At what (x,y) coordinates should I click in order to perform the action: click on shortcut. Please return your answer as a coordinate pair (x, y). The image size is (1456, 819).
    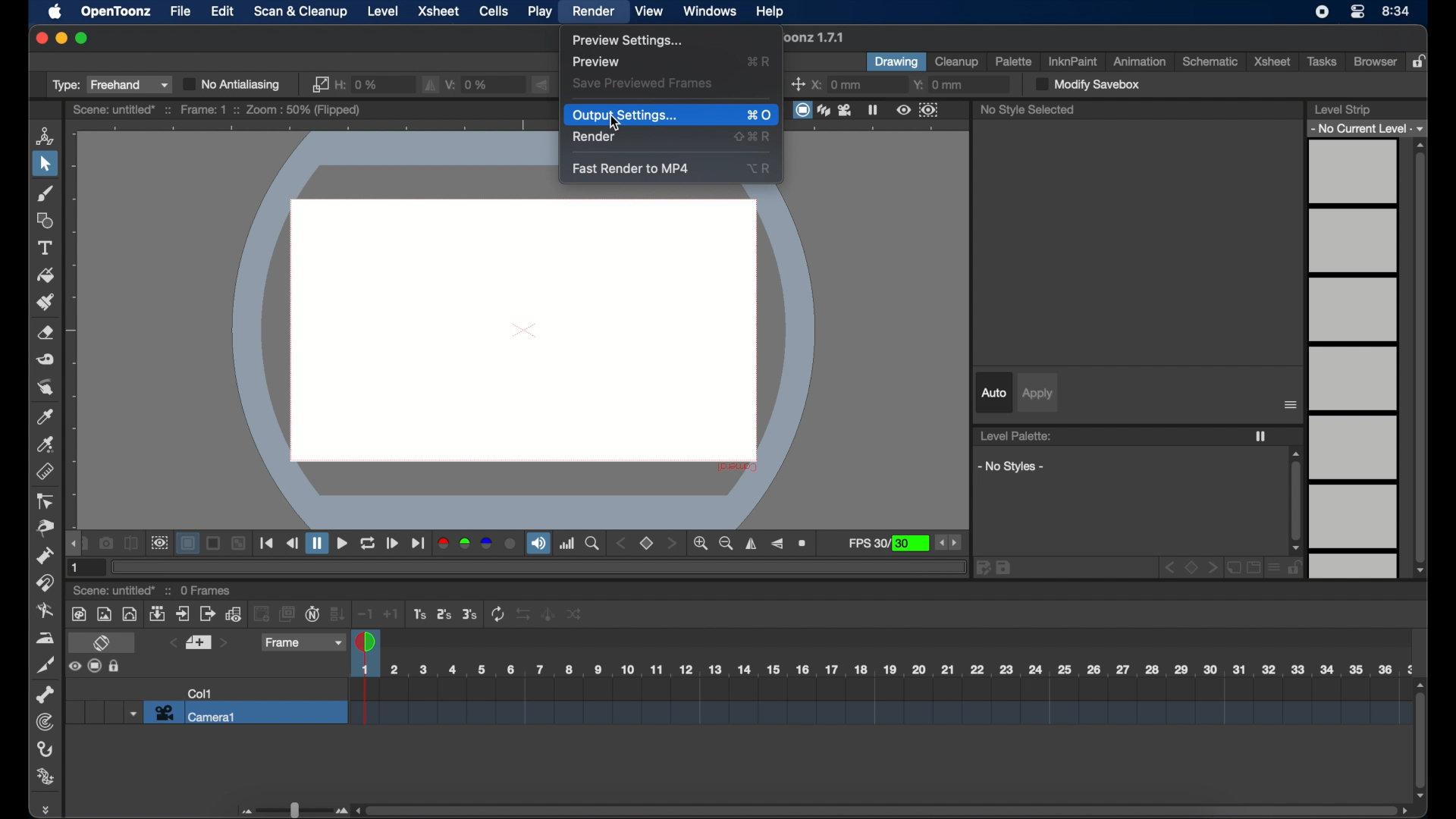
    Looking at the image, I should click on (759, 115).